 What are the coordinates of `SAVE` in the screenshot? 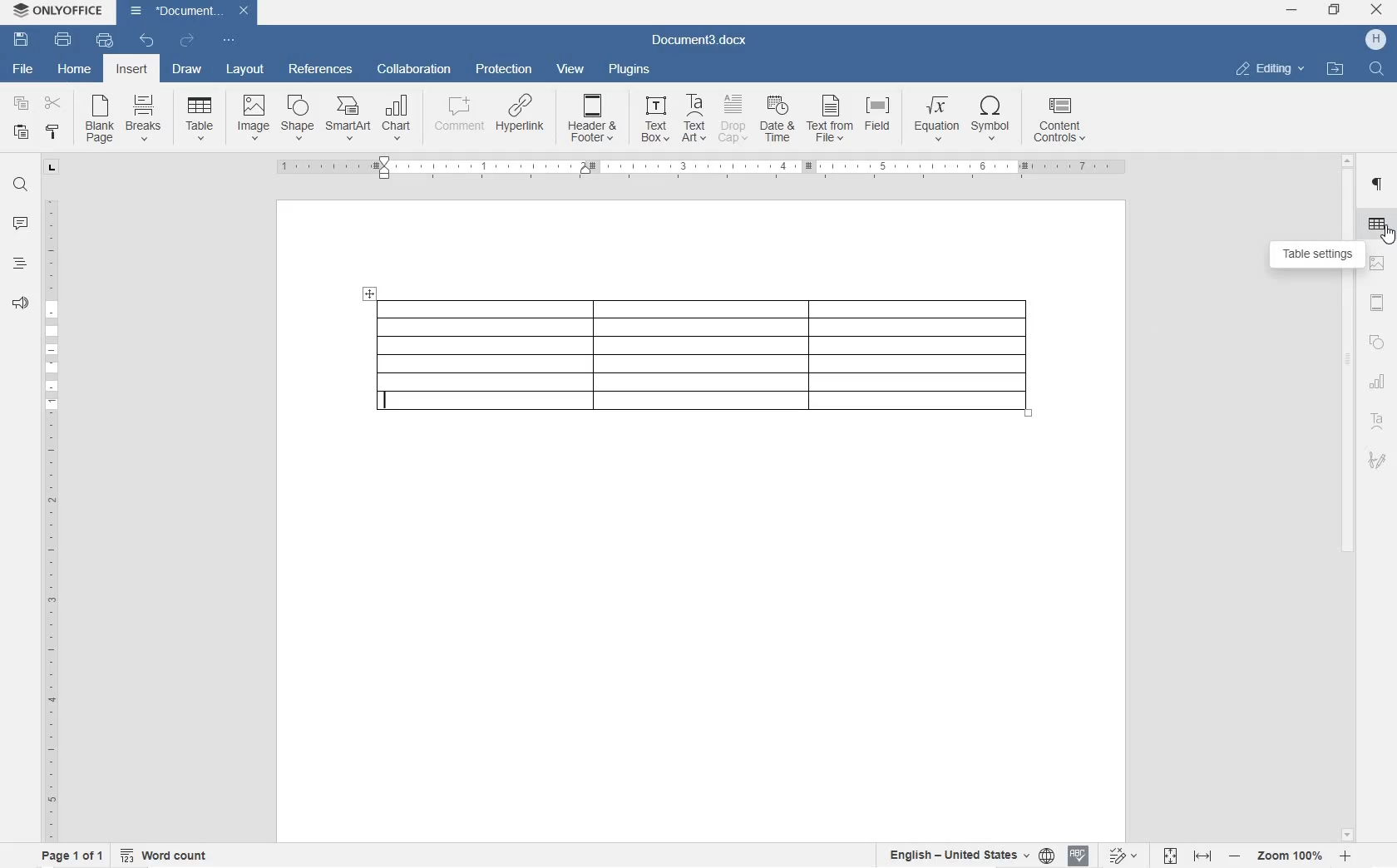 It's located at (21, 42).